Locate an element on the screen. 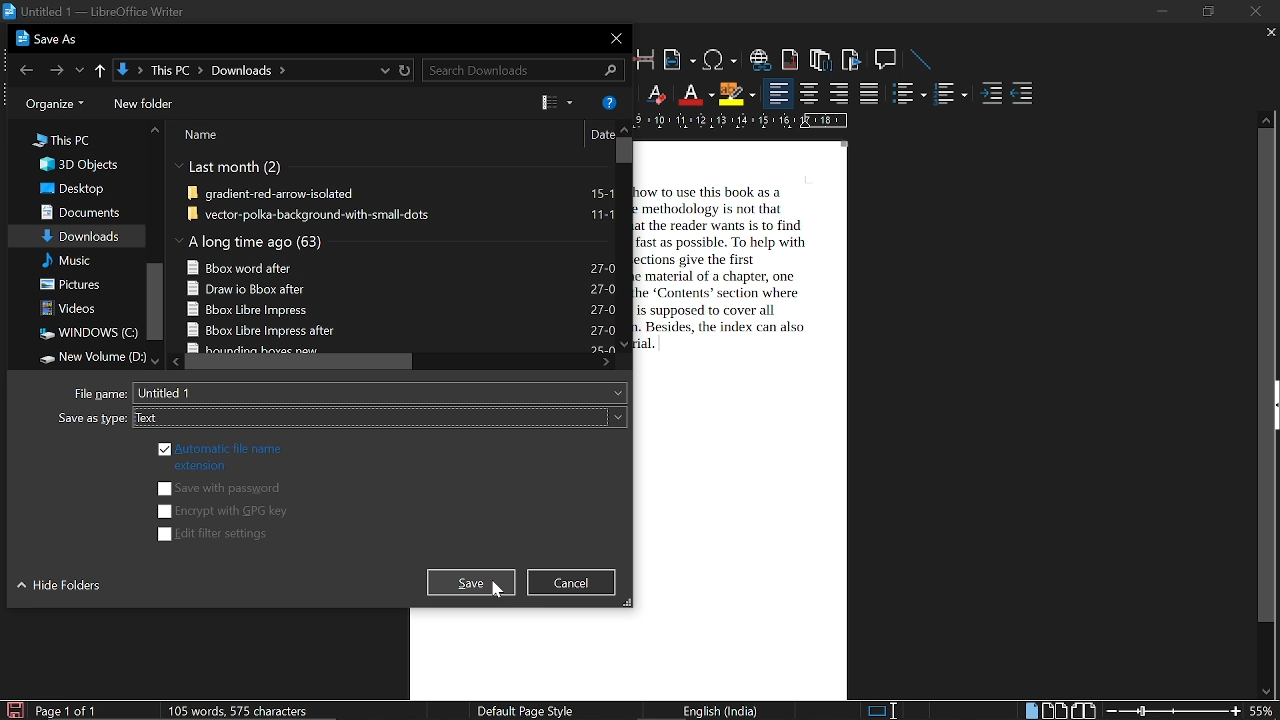 The image size is (1280, 720). previous is located at coordinates (23, 69).